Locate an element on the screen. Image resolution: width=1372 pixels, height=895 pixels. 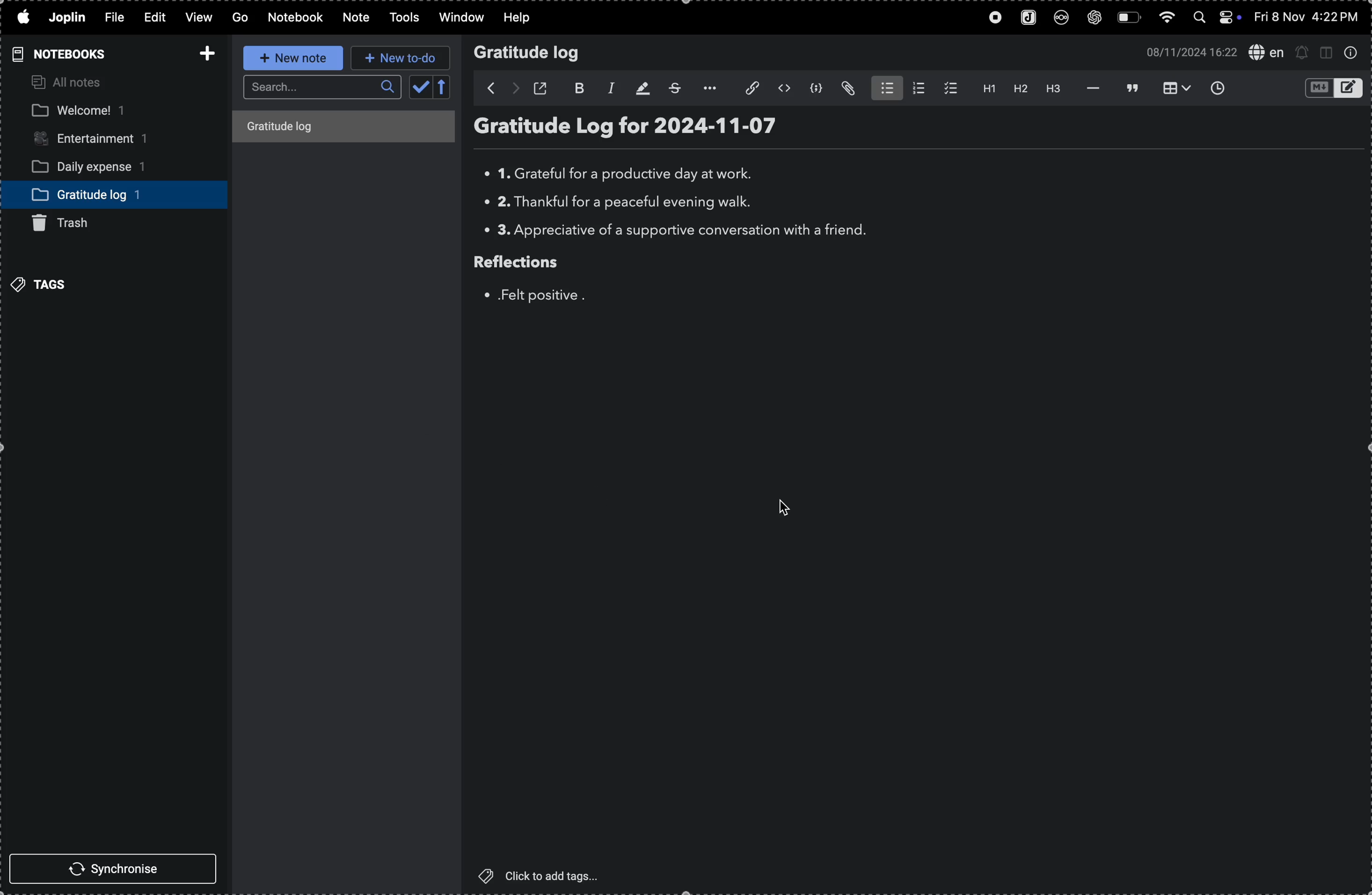
searcbar is located at coordinates (323, 87).